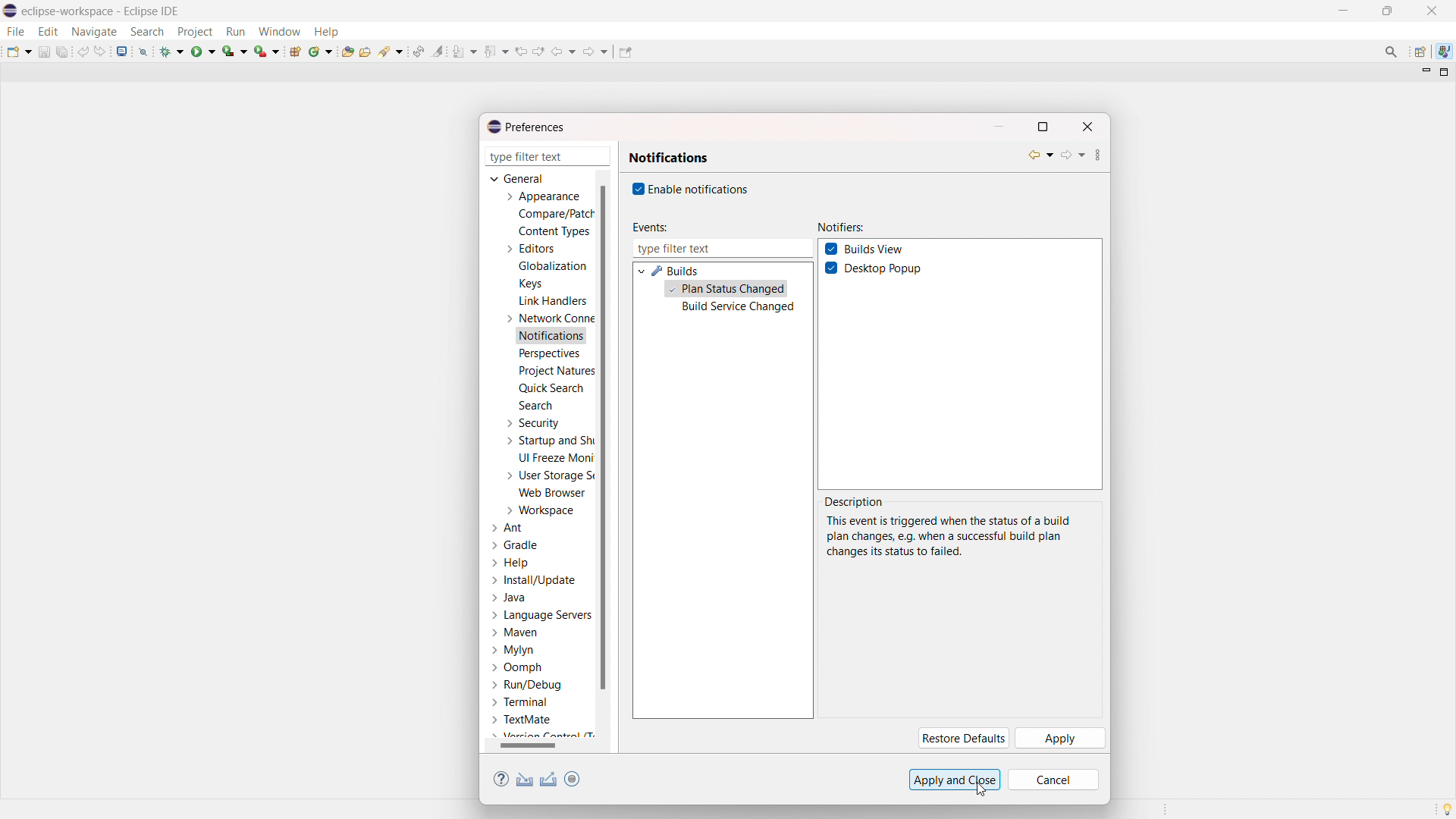  Describe the element at coordinates (548, 441) in the screenshot. I see `startup and shutdown` at that location.